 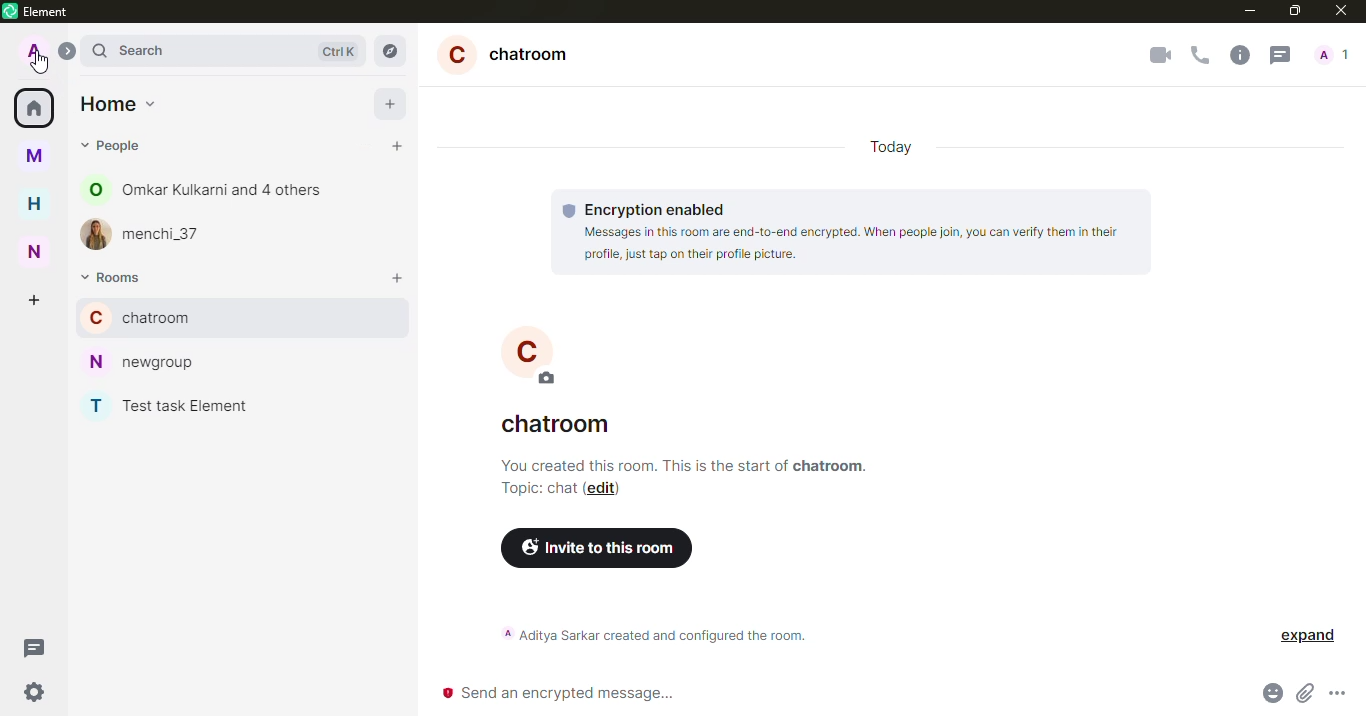 I want to click on cursor, so click(x=42, y=65).